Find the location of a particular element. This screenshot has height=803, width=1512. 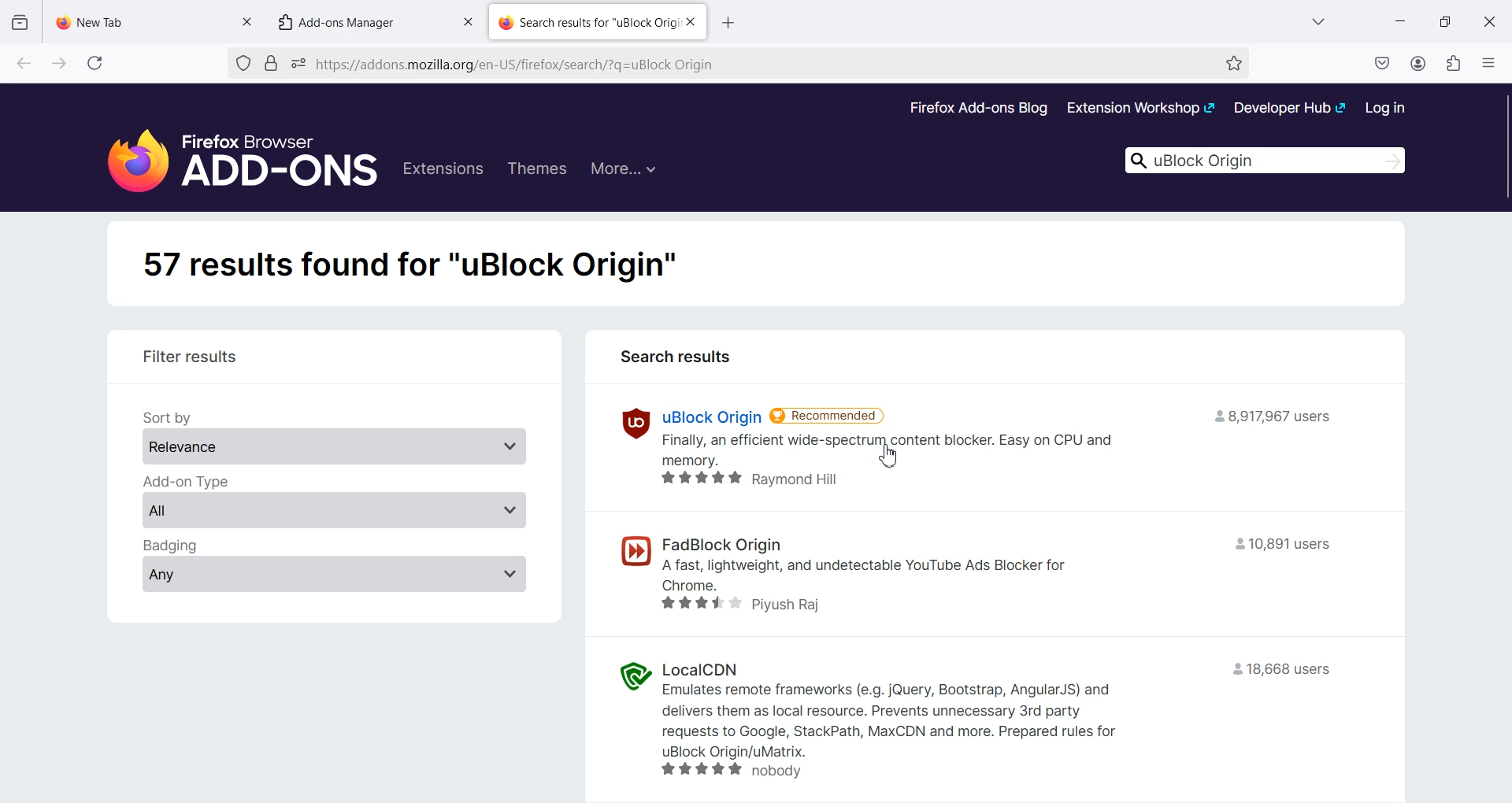

nobody is located at coordinates (787, 771).